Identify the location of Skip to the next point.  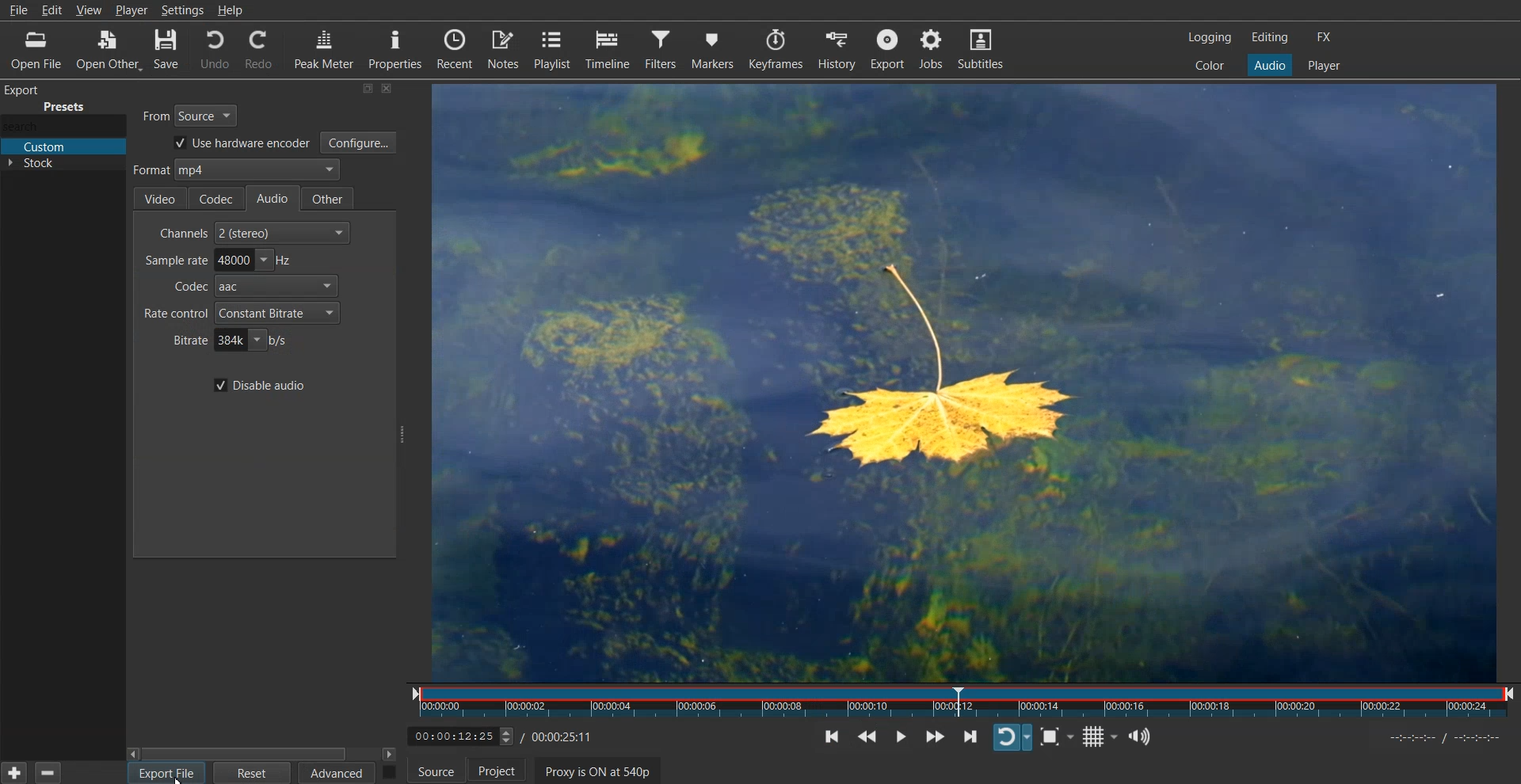
(969, 736).